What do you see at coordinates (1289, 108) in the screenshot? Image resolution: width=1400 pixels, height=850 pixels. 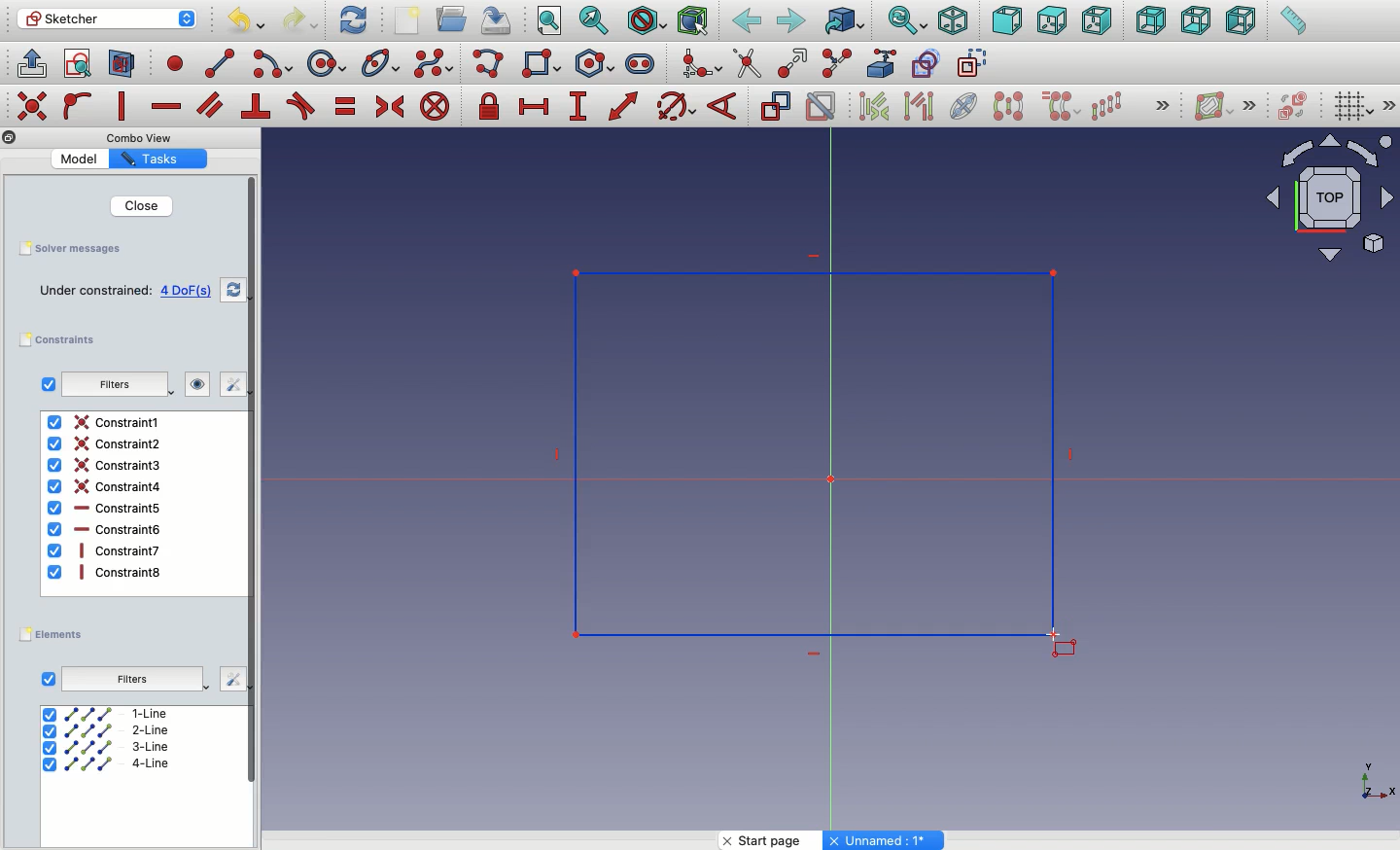 I see `Switch virtual place` at bounding box center [1289, 108].